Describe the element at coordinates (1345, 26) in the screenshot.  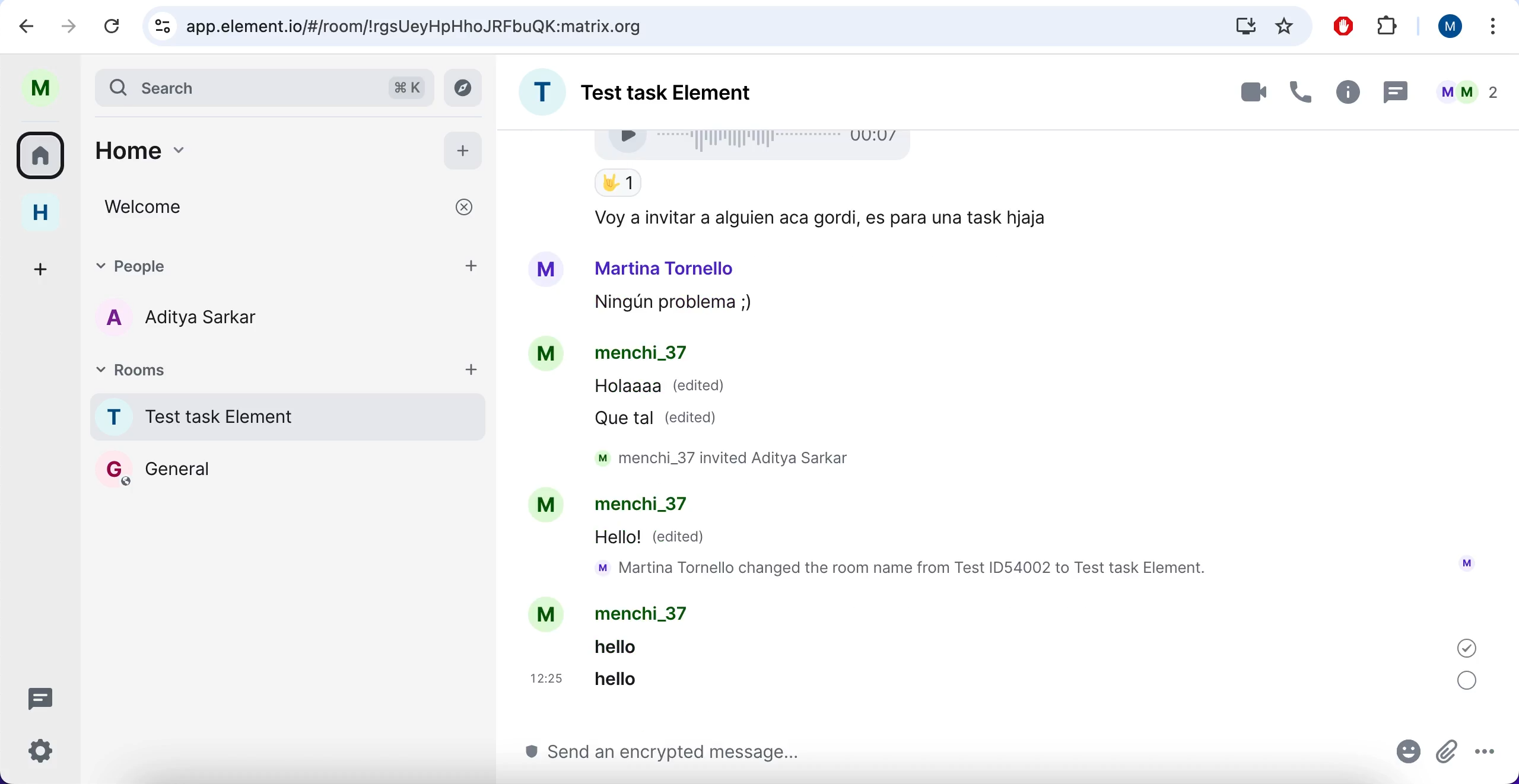
I see `ad block` at that location.